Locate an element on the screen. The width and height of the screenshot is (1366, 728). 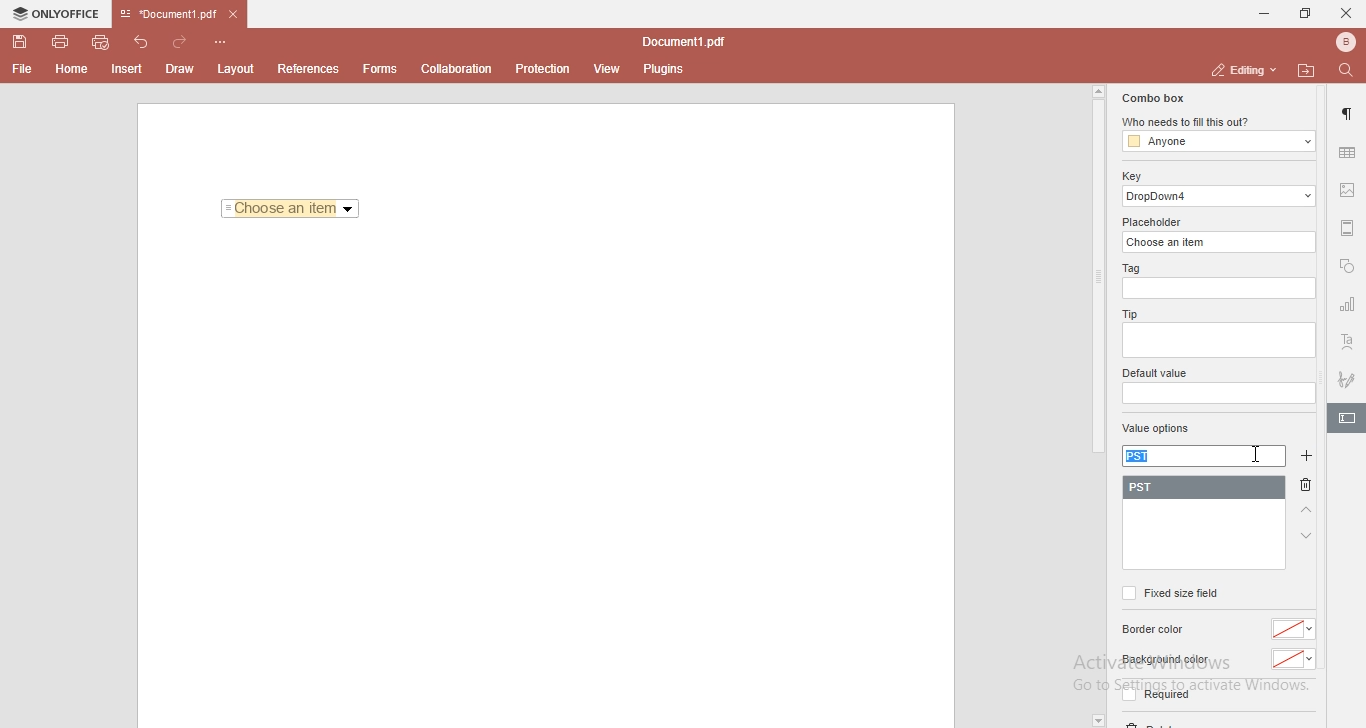
quick print is located at coordinates (102, 41).